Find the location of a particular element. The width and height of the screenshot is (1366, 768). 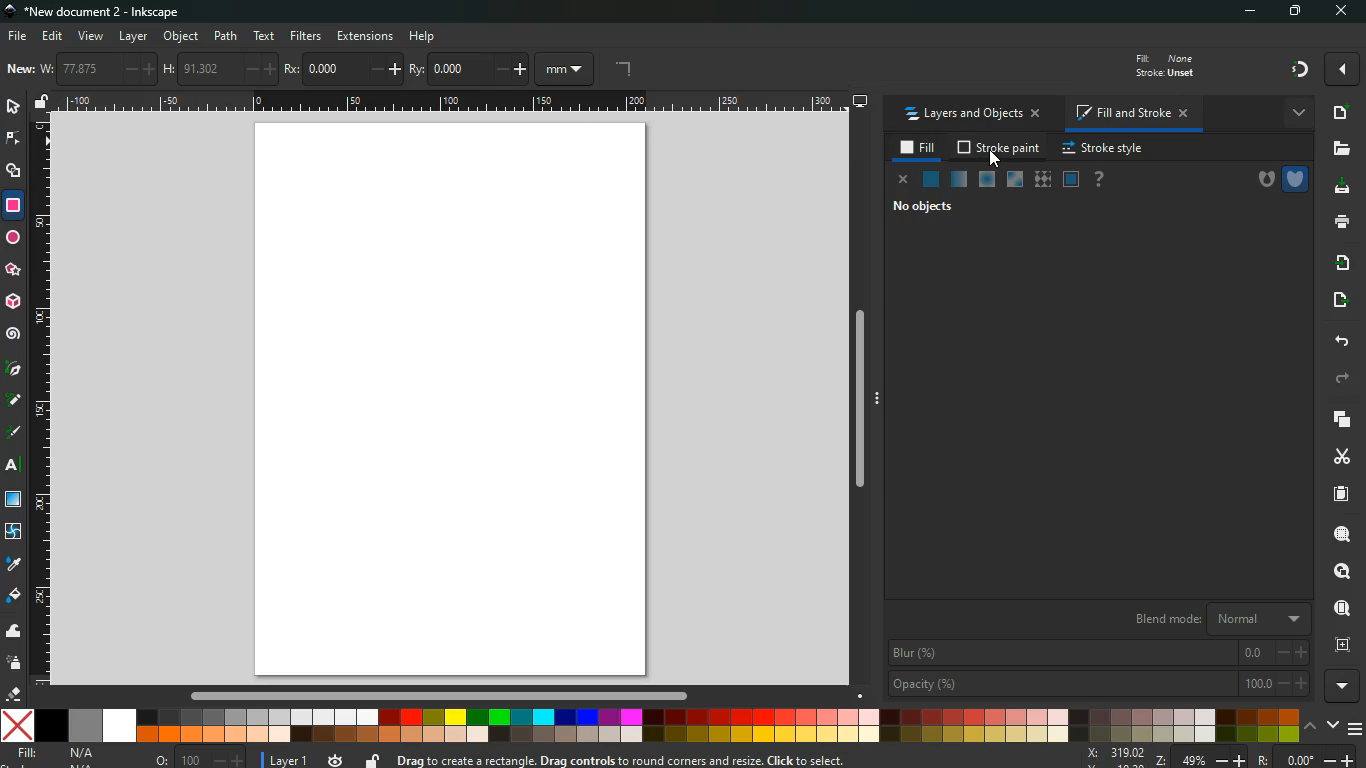

fill is located at coordinates (1177, 64).